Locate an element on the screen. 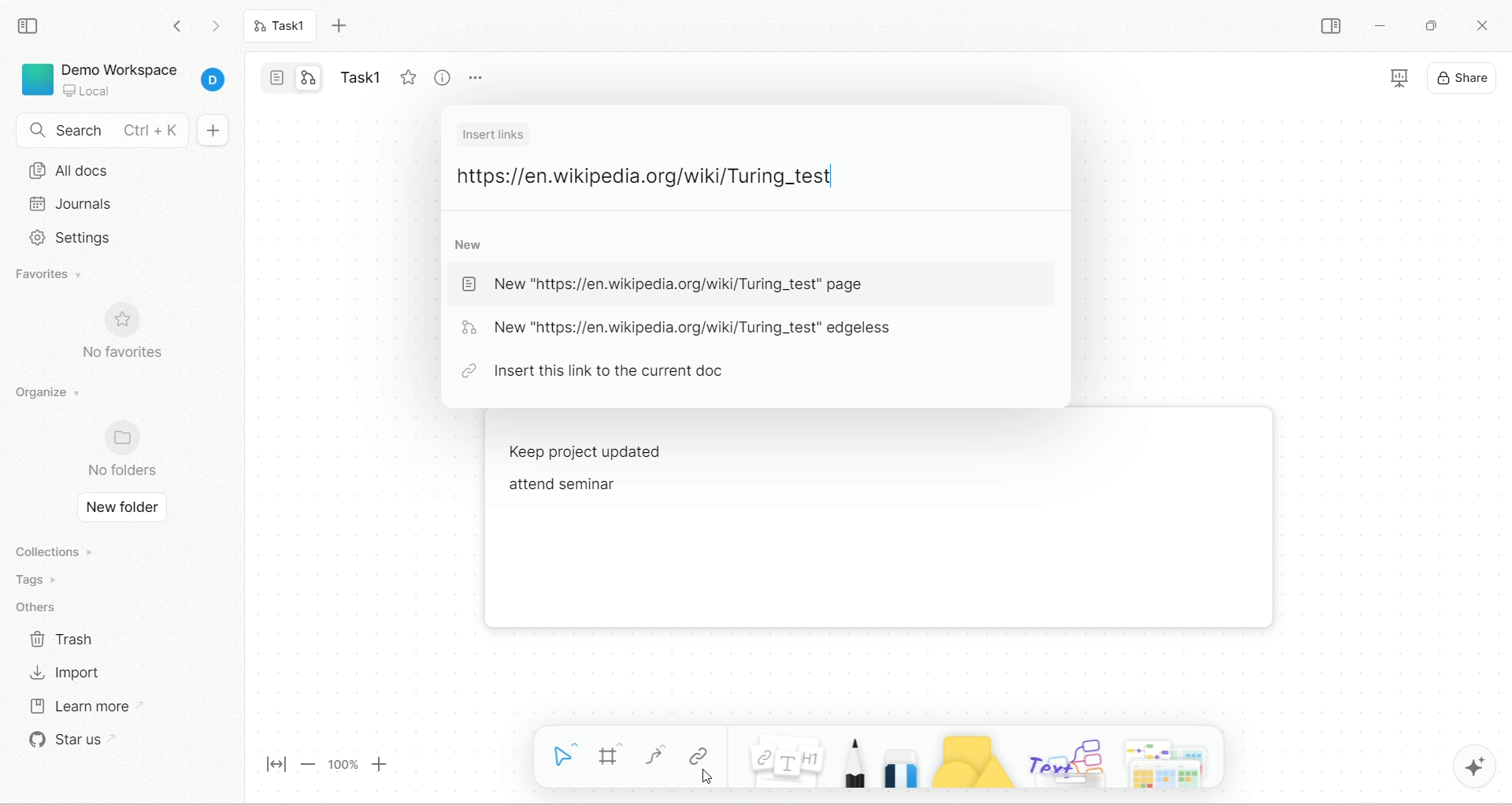  new document is located at coordinates (213, 132).